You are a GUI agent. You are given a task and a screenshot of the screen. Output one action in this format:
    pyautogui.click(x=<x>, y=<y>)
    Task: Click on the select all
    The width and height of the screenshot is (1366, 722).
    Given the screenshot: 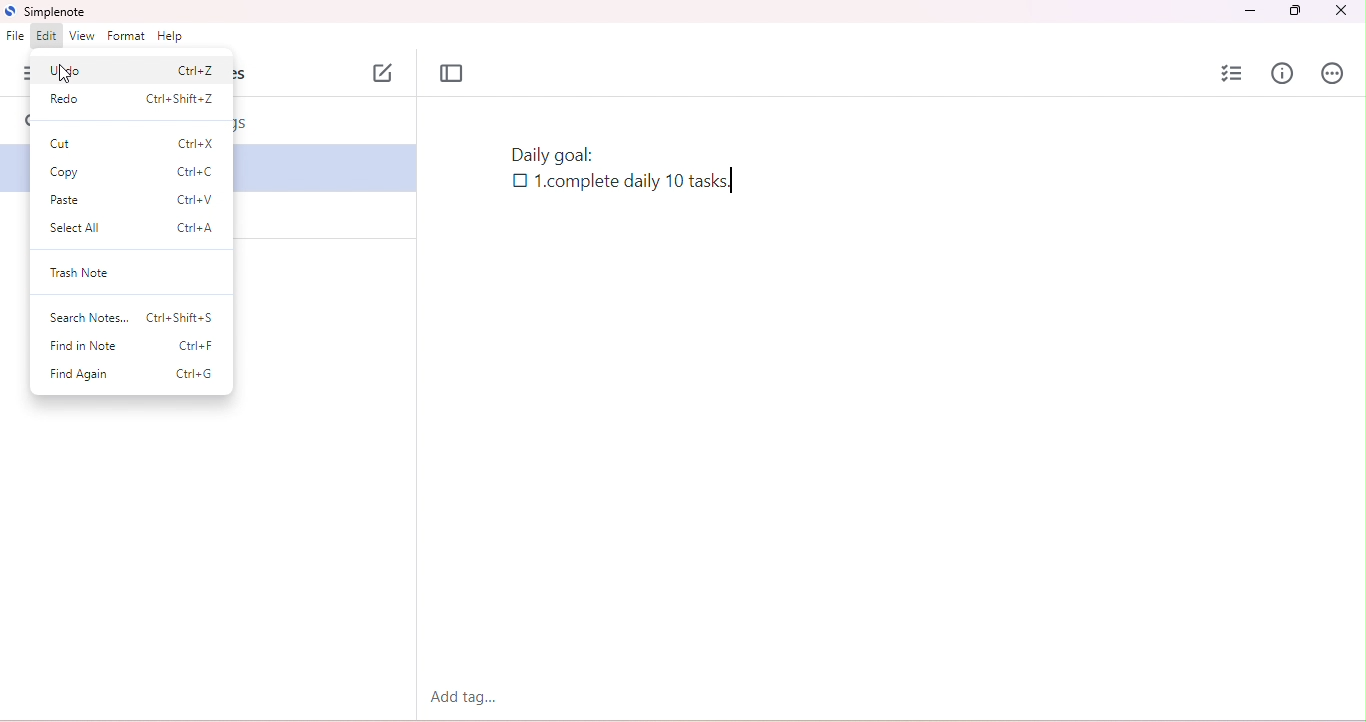 What is the action you would take?
    pyautogui.click(x=137, y=228)
    